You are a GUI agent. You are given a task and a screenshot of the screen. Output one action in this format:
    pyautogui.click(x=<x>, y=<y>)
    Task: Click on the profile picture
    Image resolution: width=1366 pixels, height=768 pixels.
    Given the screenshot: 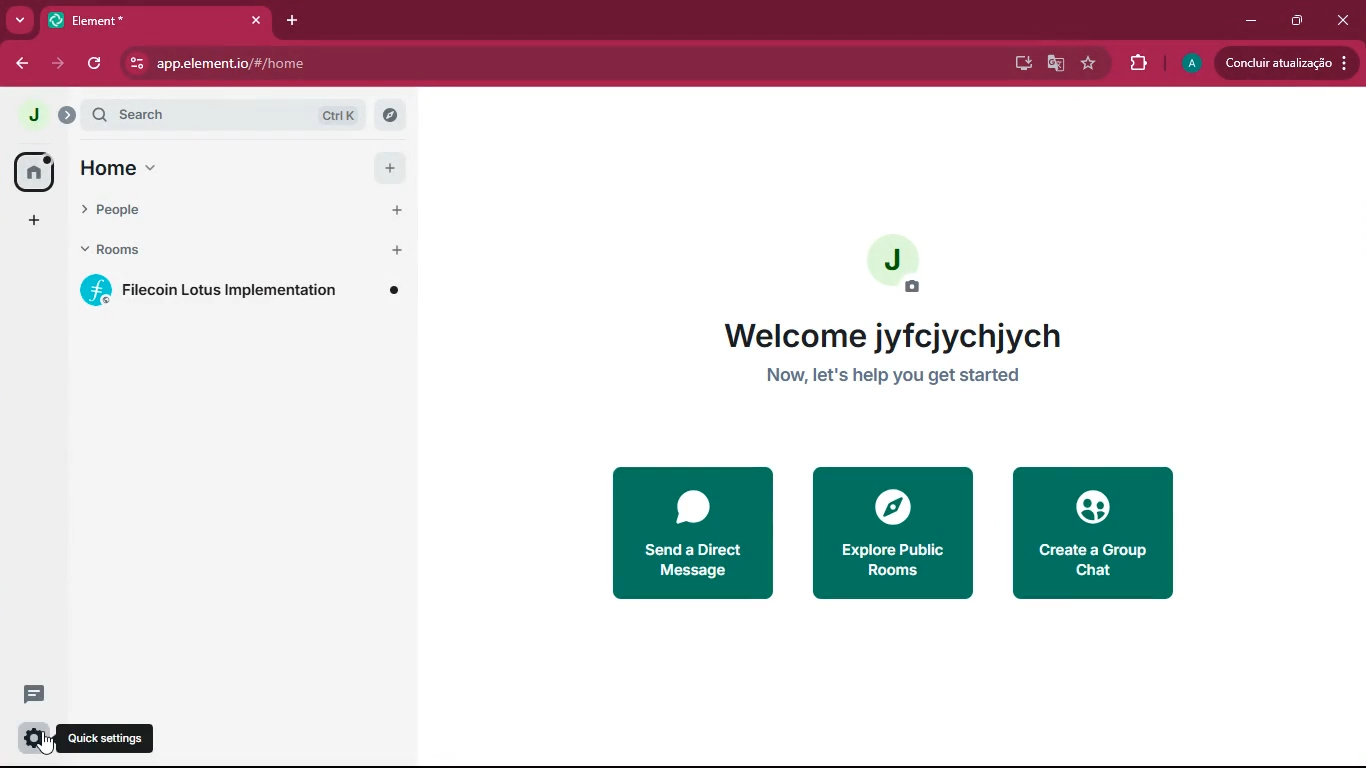 What is the action you would take?
    pyautogui.click(x=900, y=267)
    